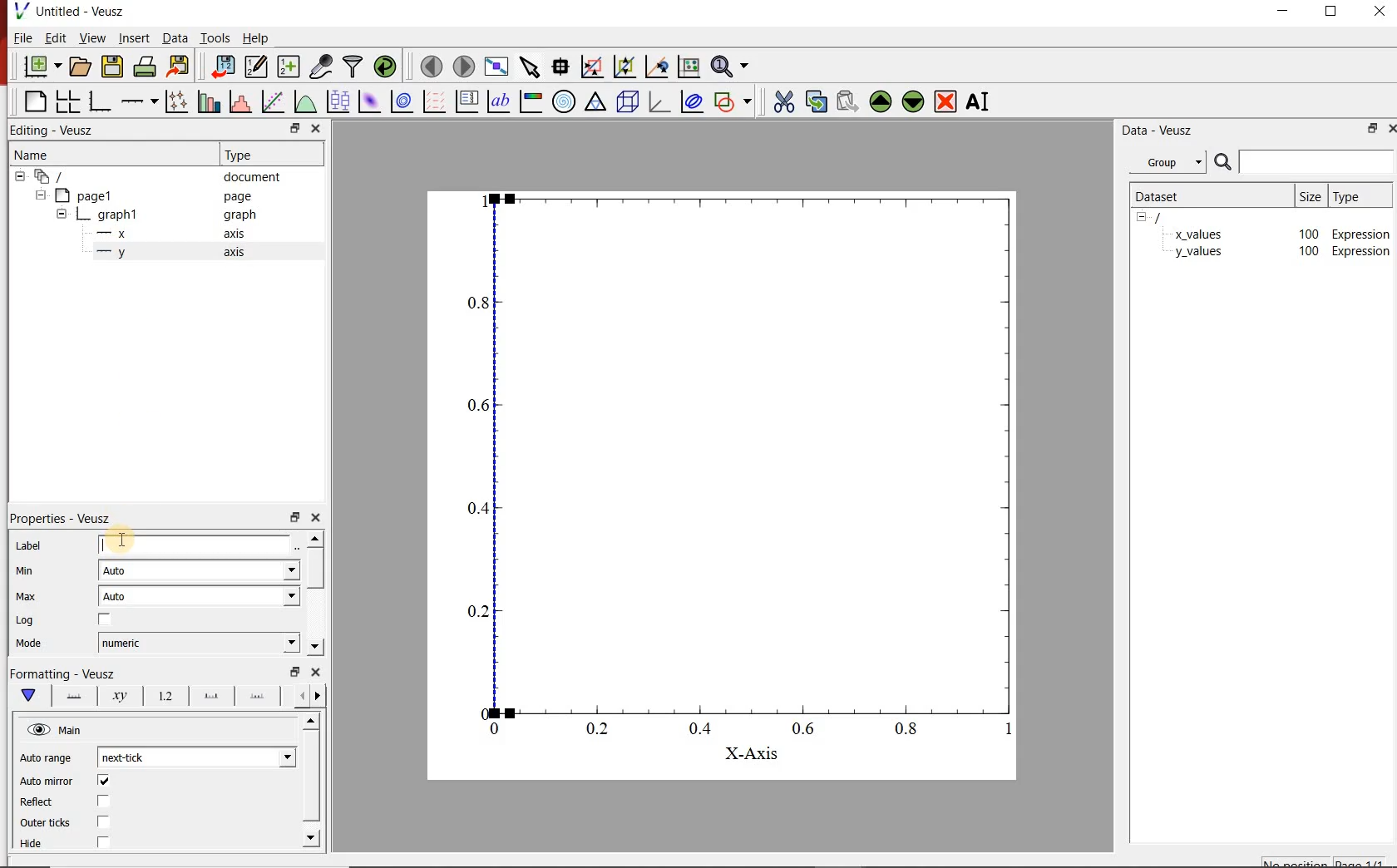  What do you see at coordinates (300, 696) in the screenshot?
I see `next options` at bounding box center [300, 696].